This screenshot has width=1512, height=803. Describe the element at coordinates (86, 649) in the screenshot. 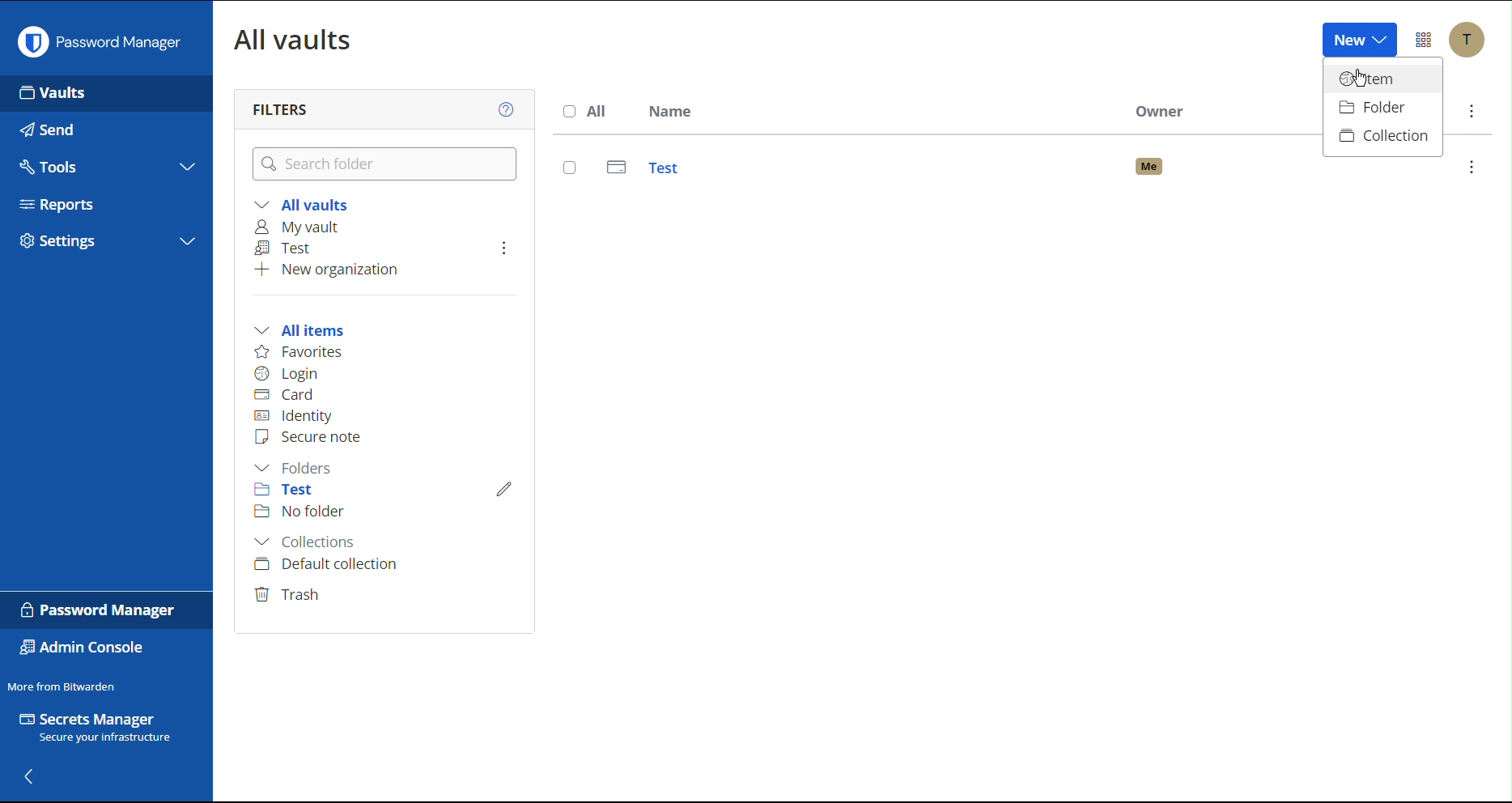

I see `Admin Console` at that location.